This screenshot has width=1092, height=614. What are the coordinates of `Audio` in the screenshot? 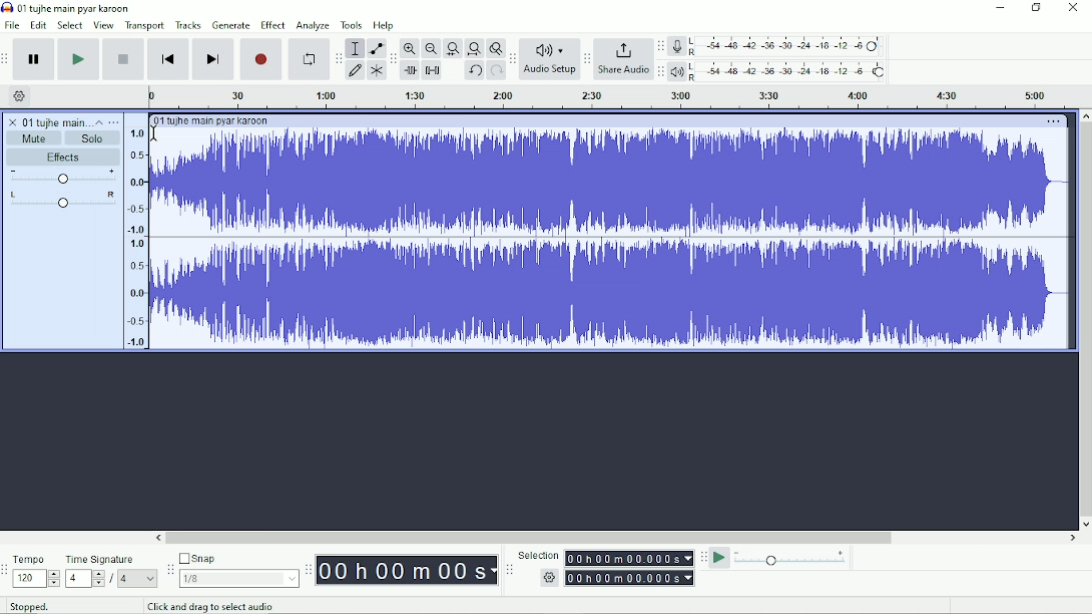 It's located at (612, 238).